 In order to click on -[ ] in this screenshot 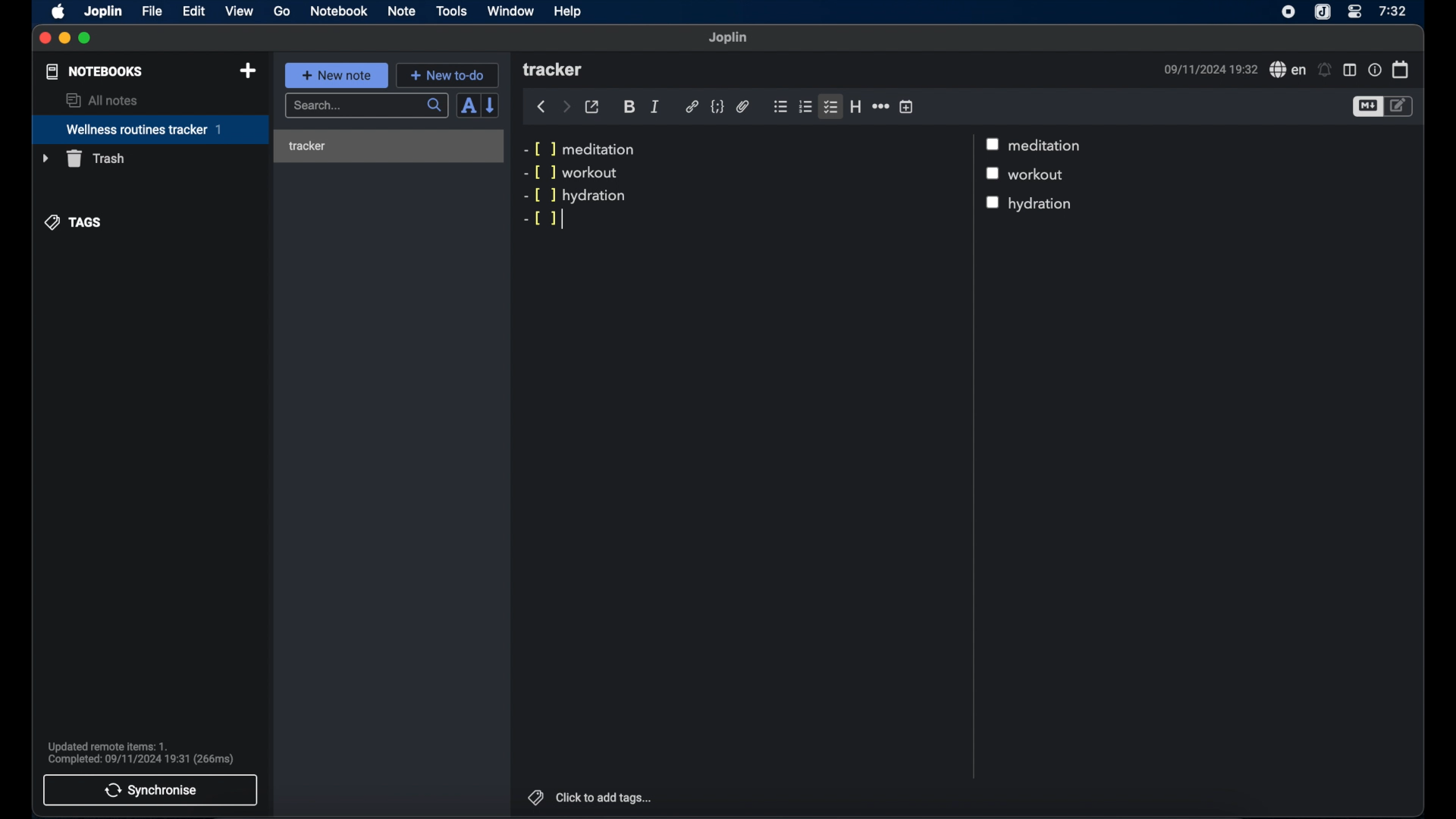, I will do `click(543, 219)`.